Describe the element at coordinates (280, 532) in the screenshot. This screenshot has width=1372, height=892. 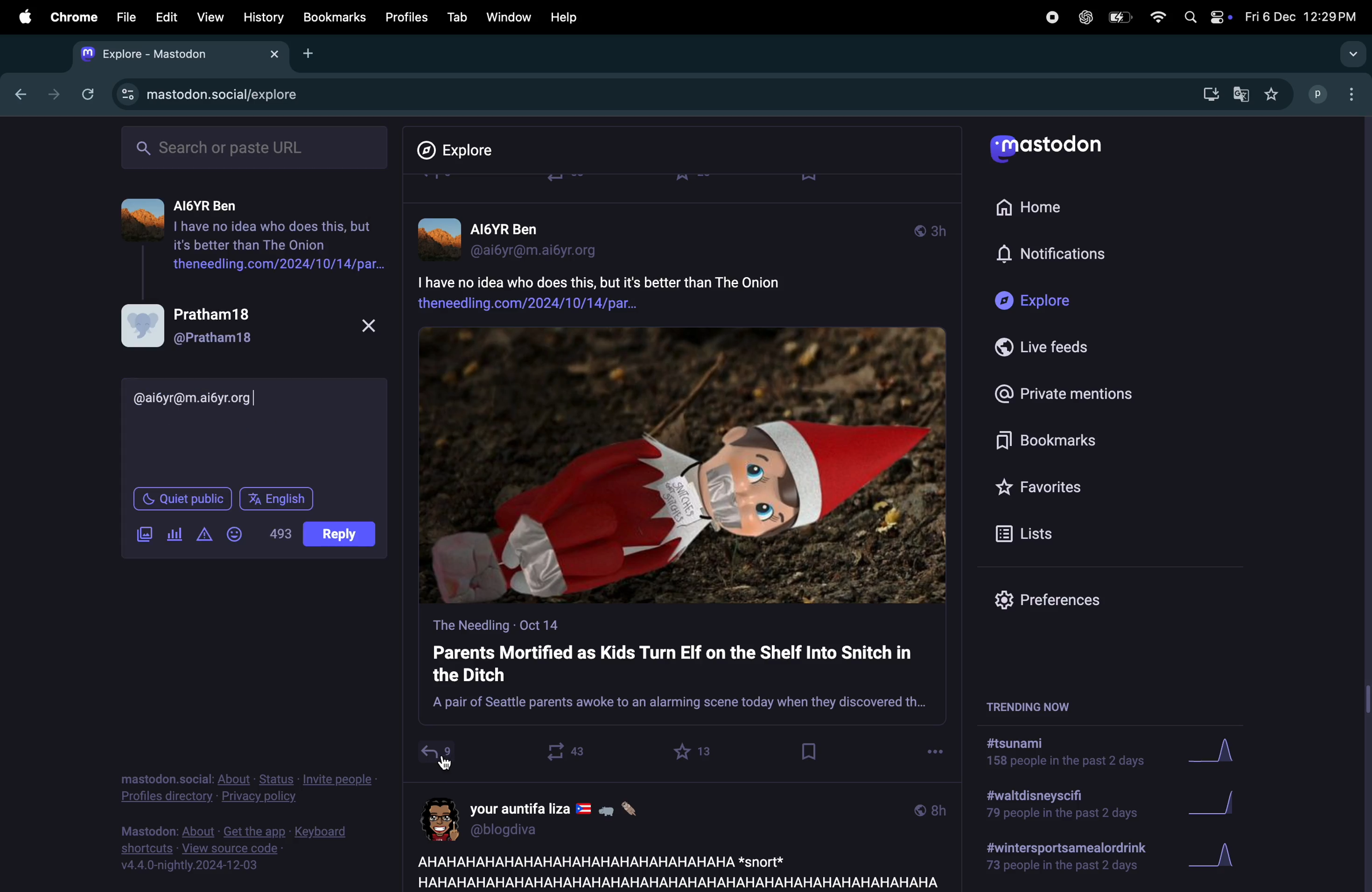
I see `500 words` at that location.